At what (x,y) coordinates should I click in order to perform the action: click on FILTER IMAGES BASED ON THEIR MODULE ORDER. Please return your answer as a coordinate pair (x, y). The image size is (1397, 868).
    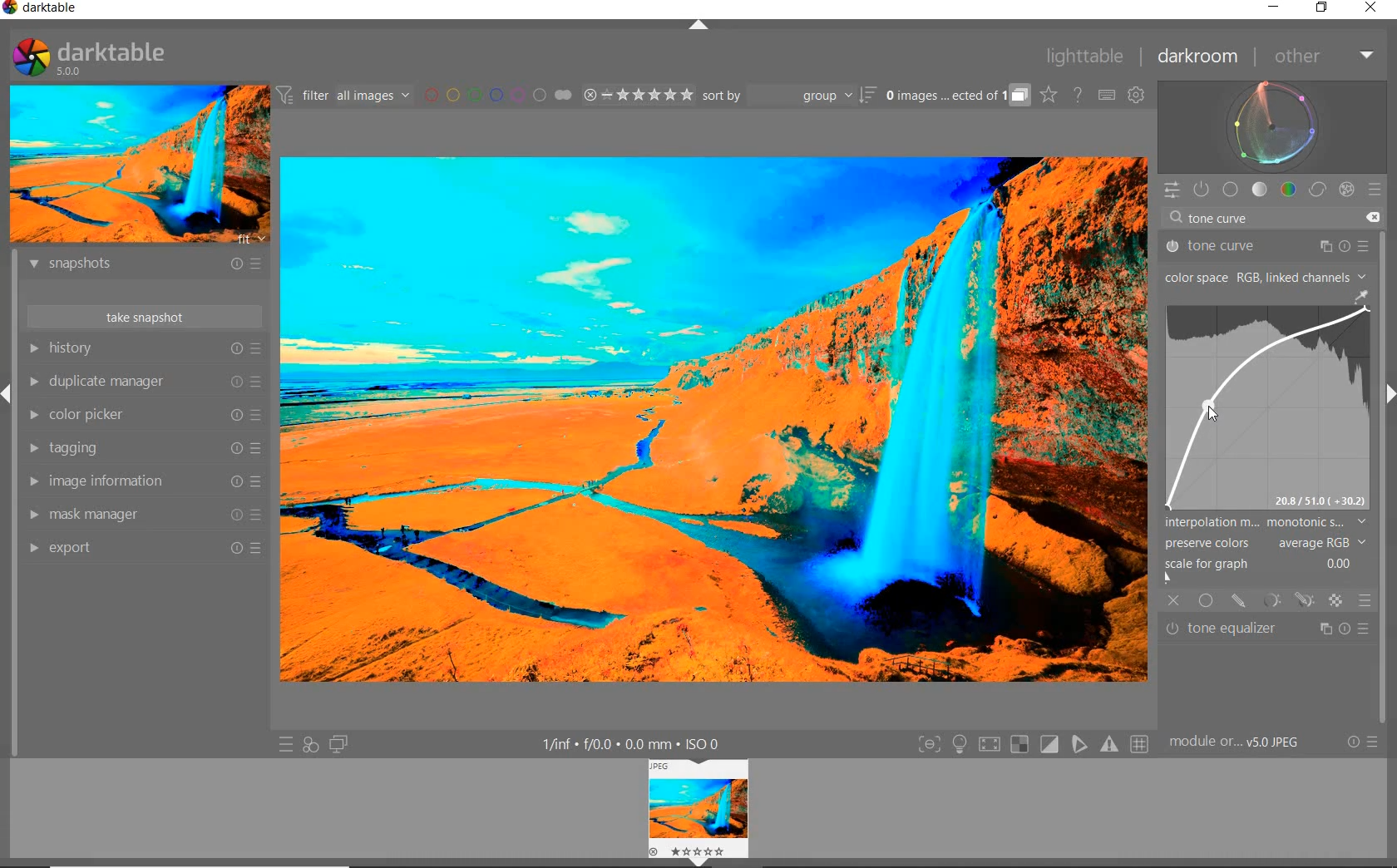
    Looking at the image, I should click on (343, 96).